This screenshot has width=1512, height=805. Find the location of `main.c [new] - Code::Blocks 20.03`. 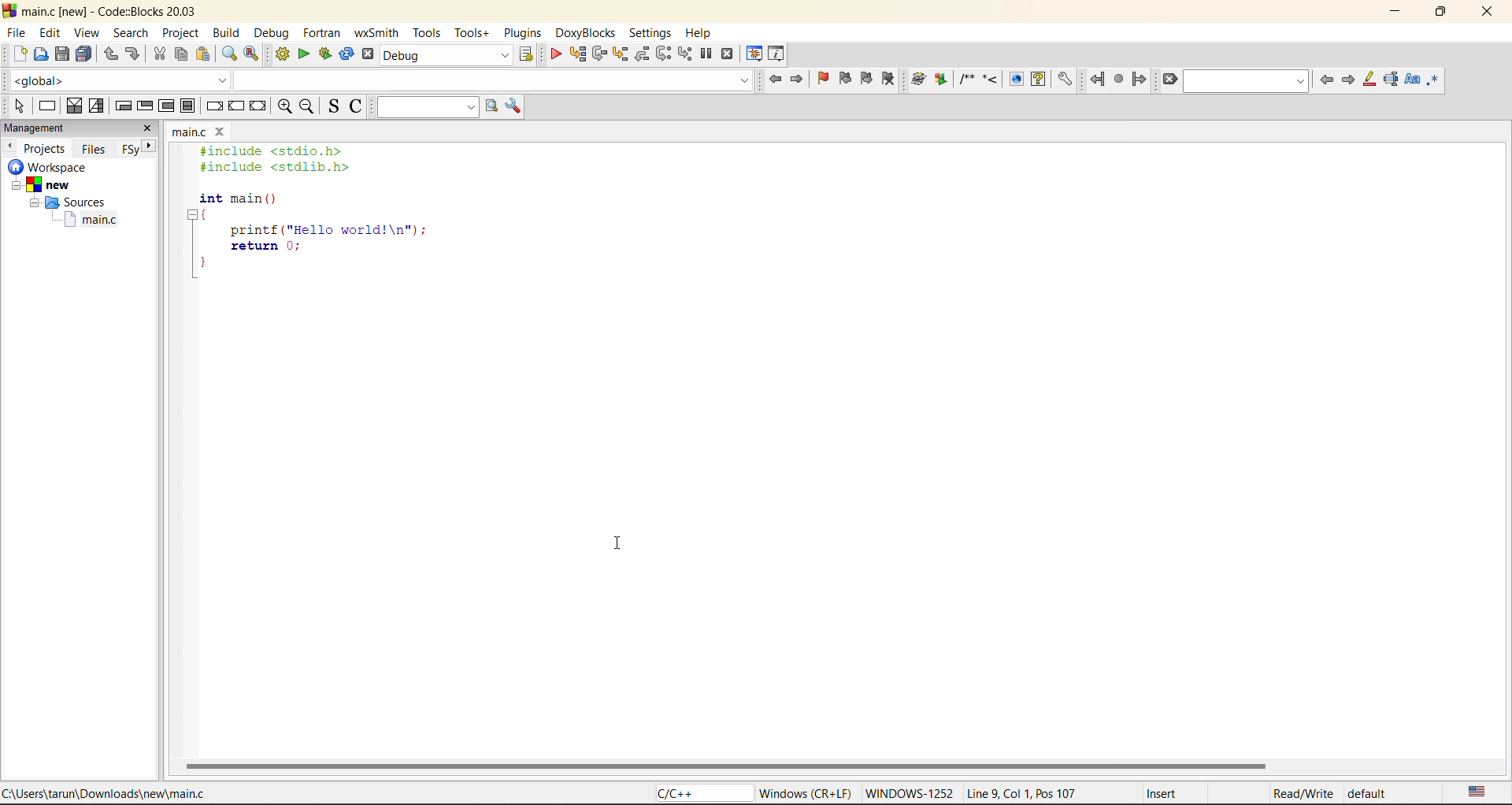

main.c [new] - Code::Blocks 20.03 is located at coordinates (113, 10).